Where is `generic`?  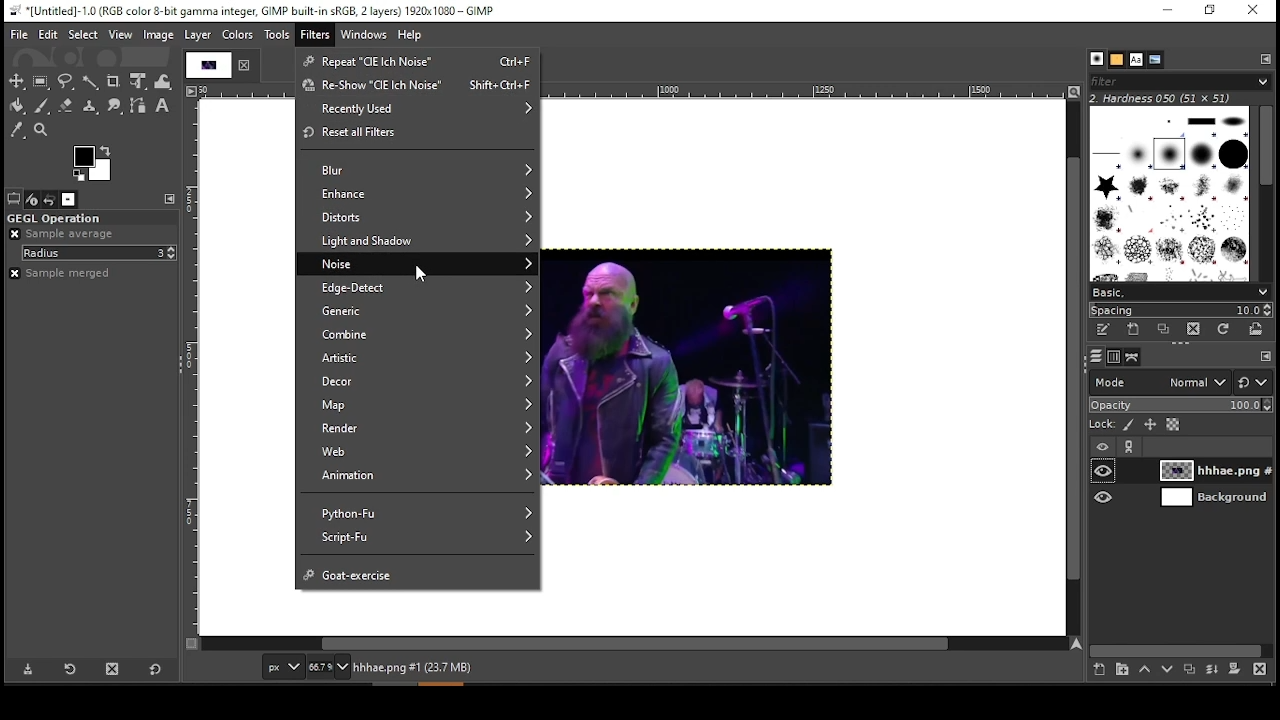
generic is located at coordinates (420, 312).